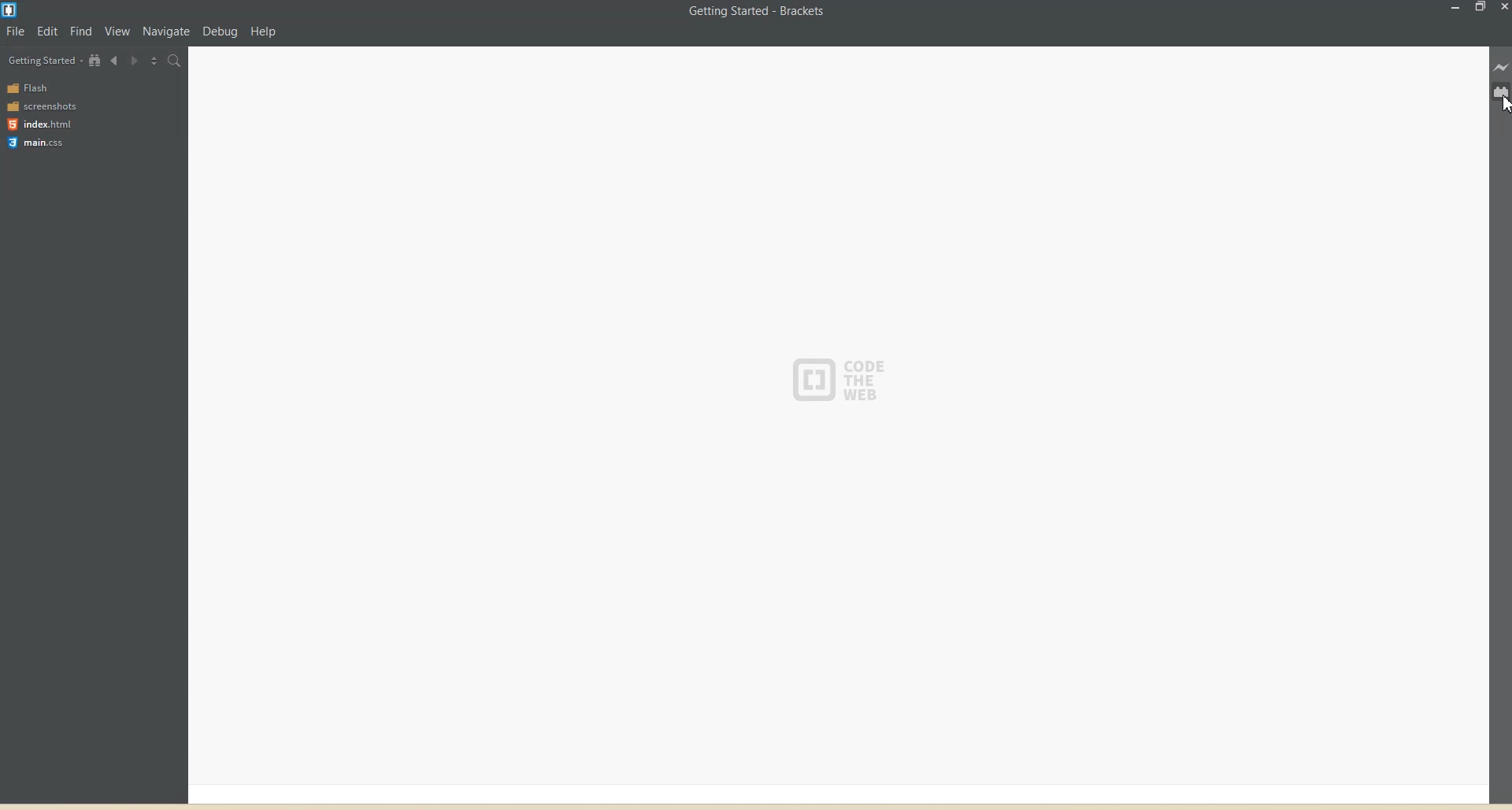 This screenshot has height=810, width=1512. What do you see at coordinates (1502, 91) in the screenshot?
I see `Extension manager` at bounding box center [1502, 91].